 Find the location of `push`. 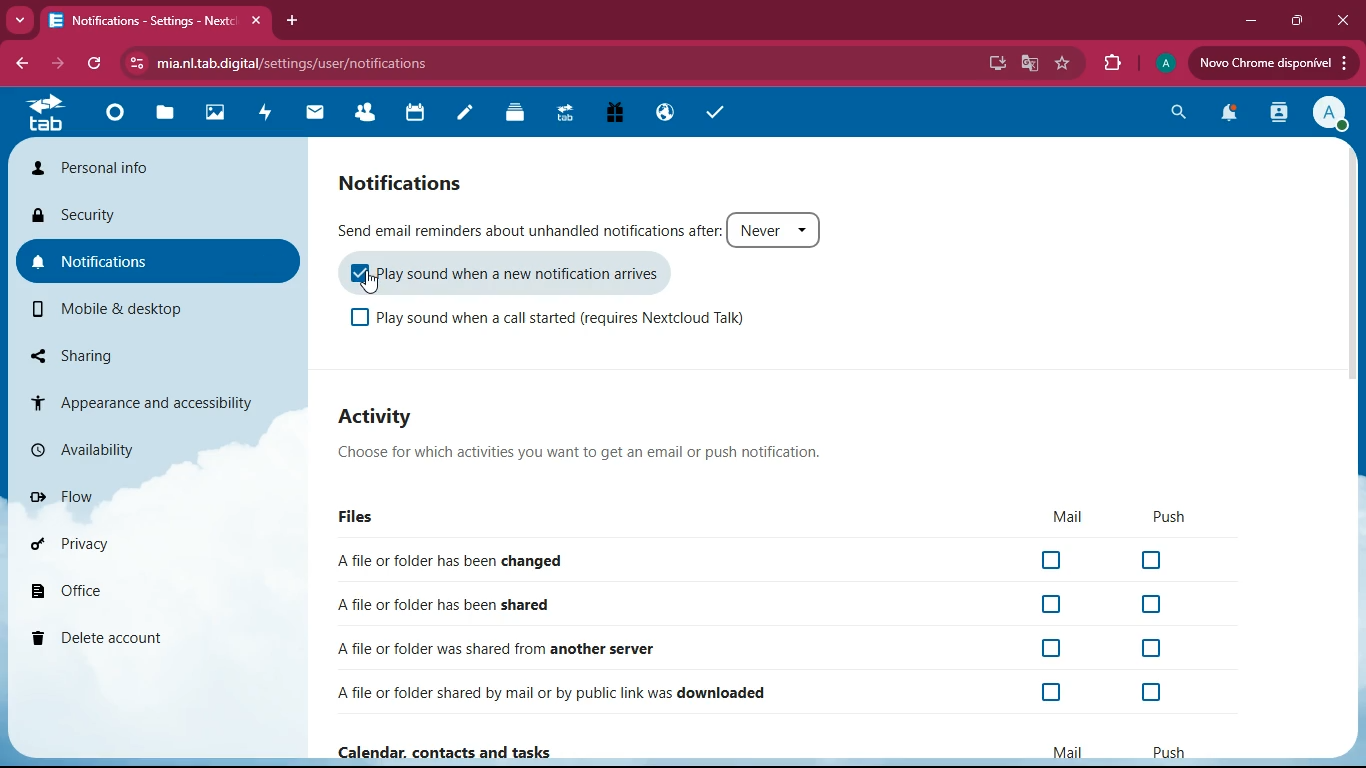

push is located at coordinates (1169, 518).